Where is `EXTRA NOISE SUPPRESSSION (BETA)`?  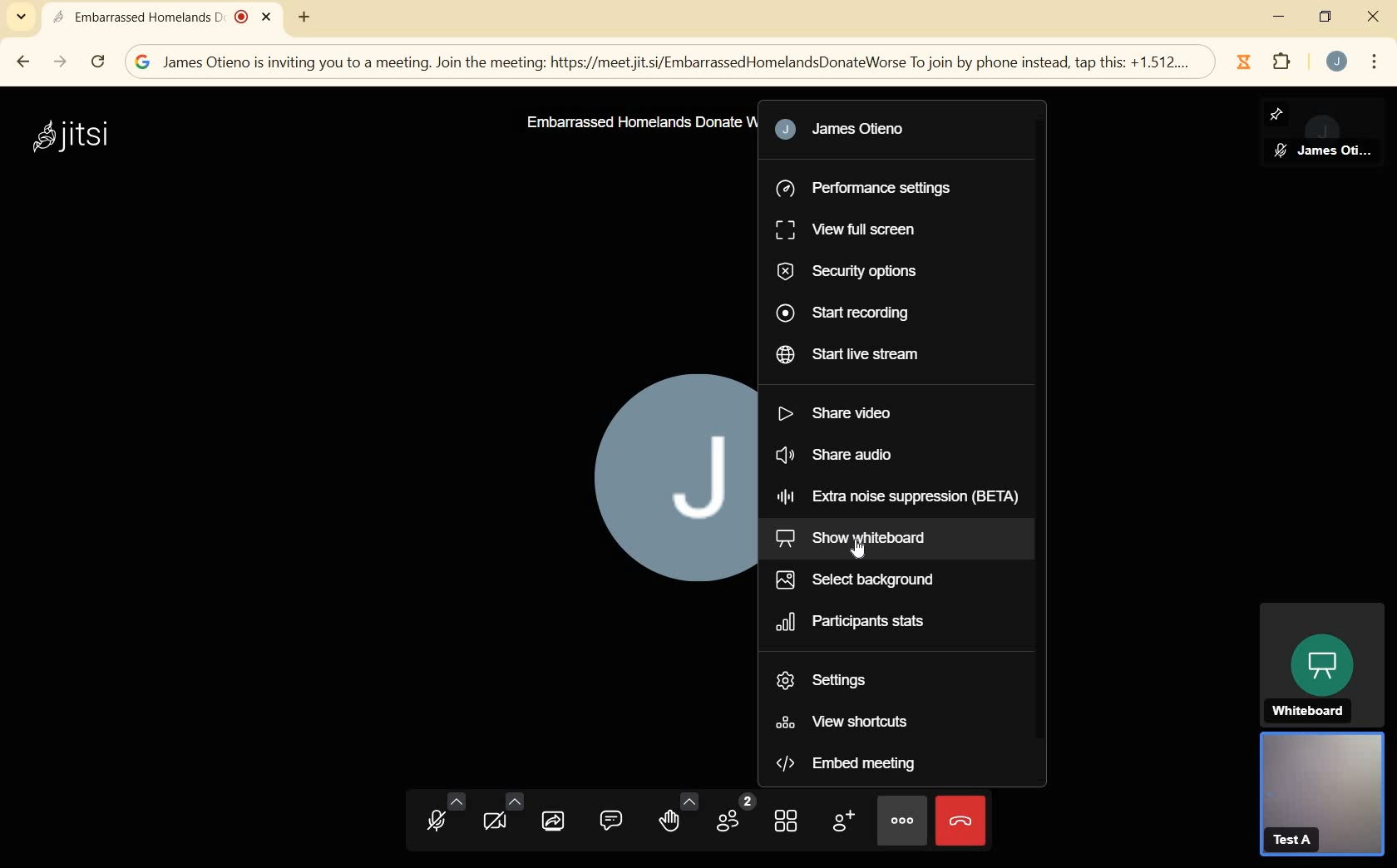 EXTRA NOISE SUPPRESSSION (BETA) is located at coordinates (896, 499).